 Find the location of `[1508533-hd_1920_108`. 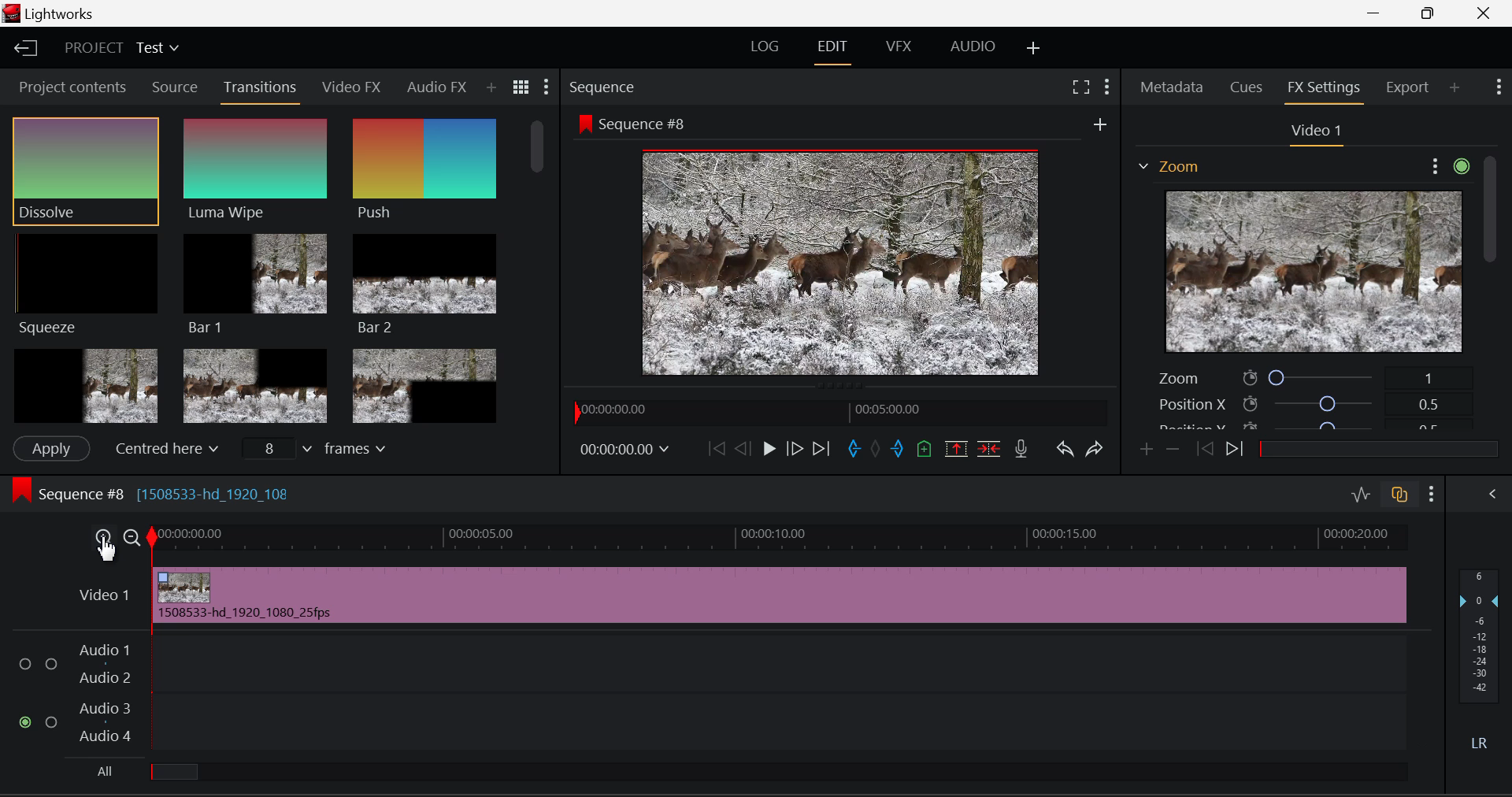

[1508533-hd_1920_108 is located at coordinates (216, 496).